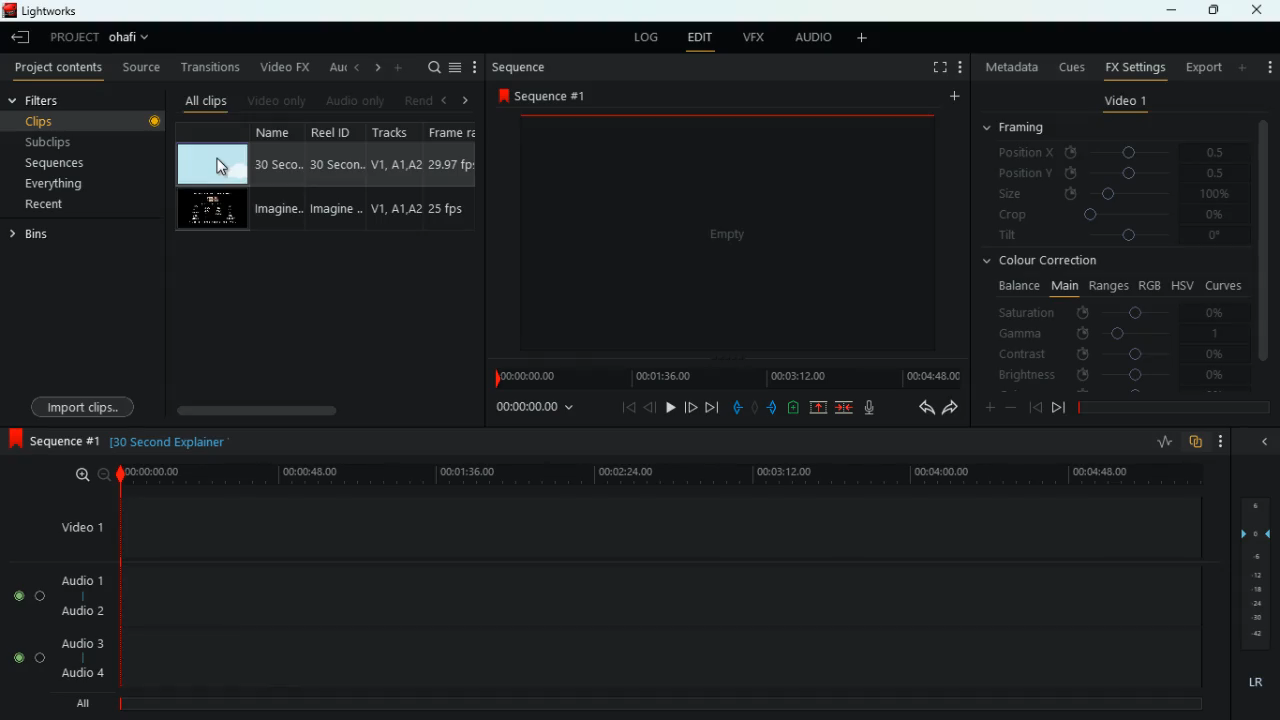  What do you see at coordinates (793, 407) in the screenshot?
I see `battery` at bounding box center [793, 407].